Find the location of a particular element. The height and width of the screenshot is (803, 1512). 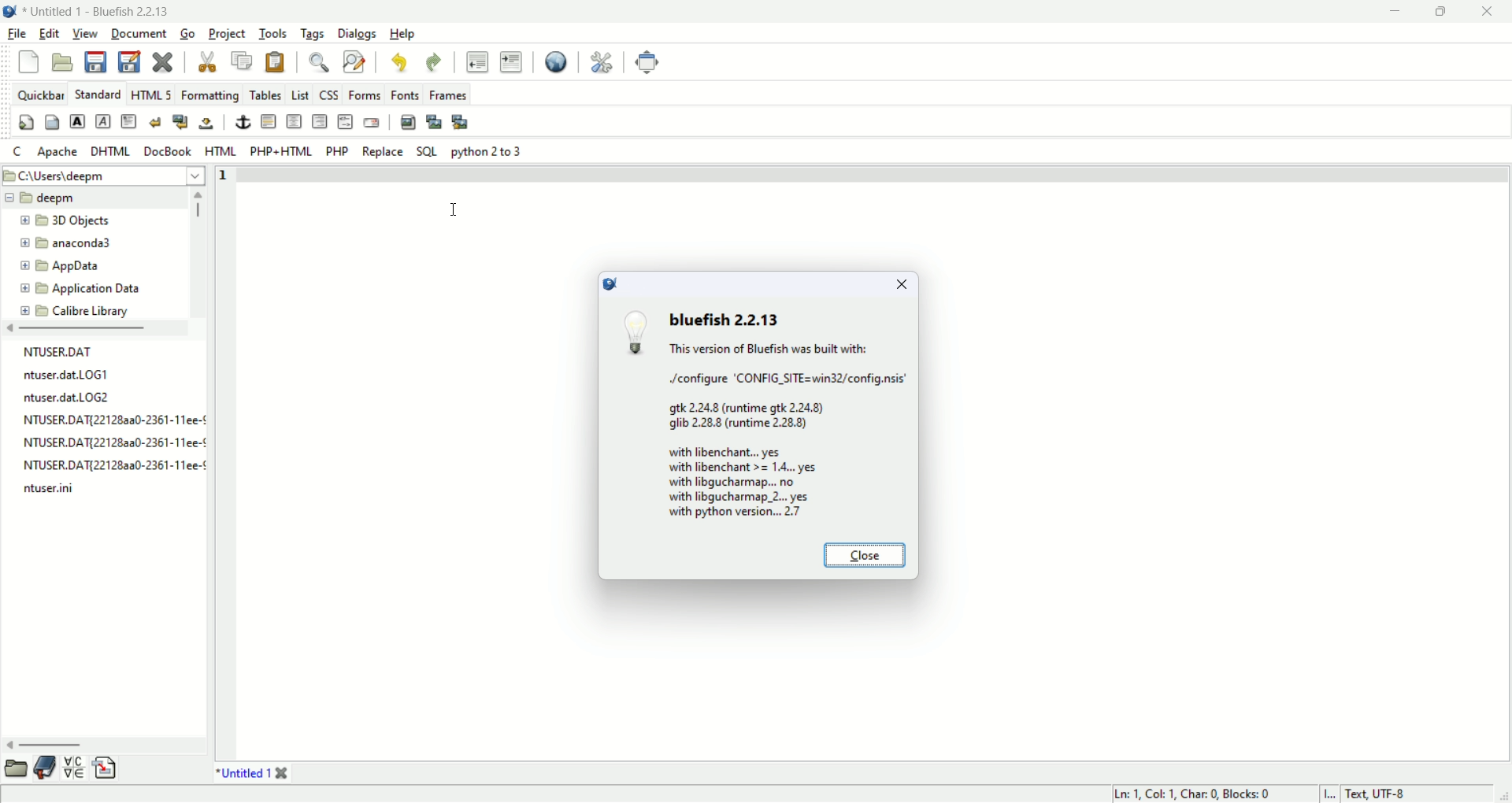

preferences is located at coordinates (603, 62).